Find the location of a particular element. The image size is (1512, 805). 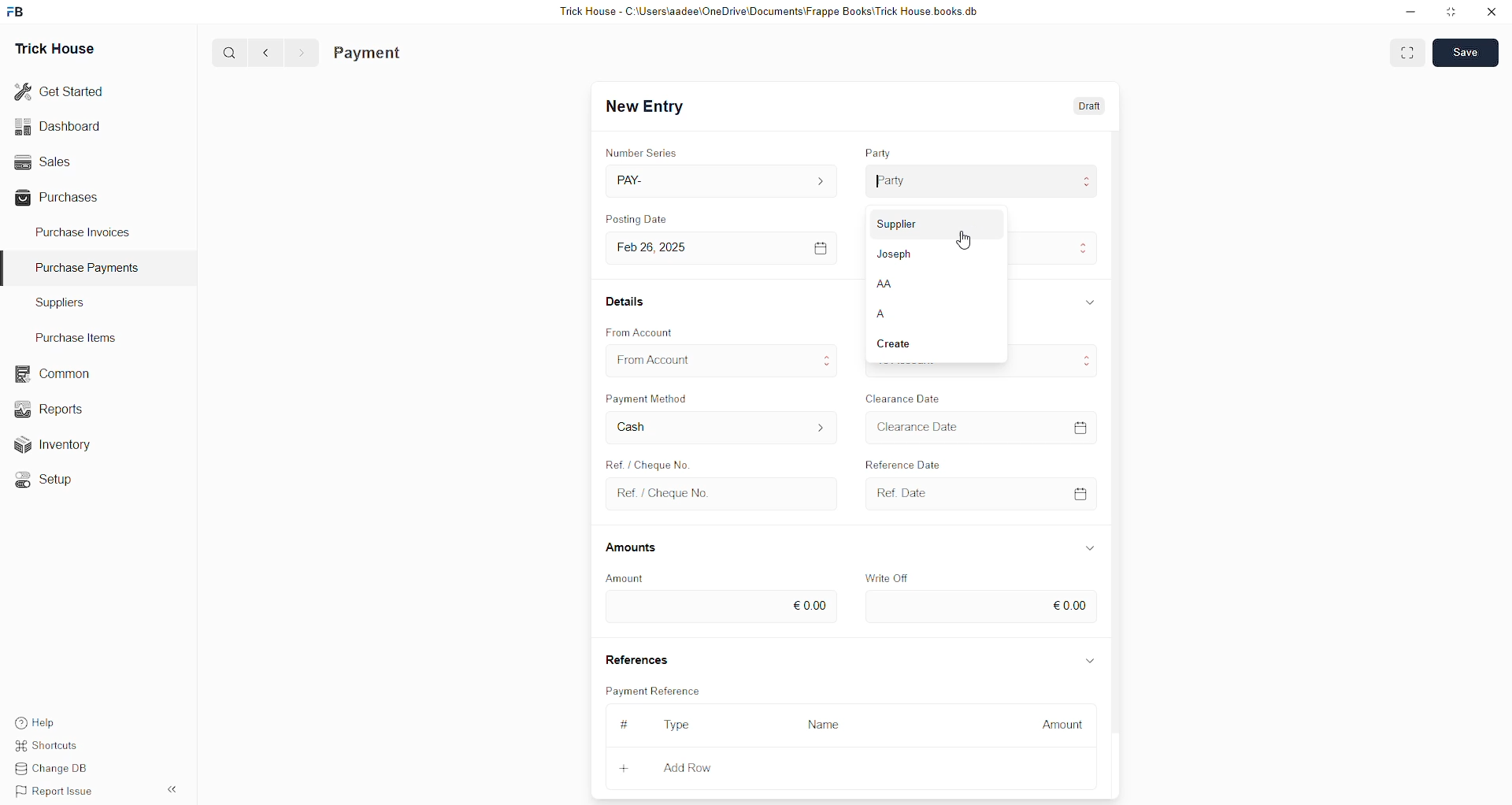

Minimize is located at coordinates (1410, 13).